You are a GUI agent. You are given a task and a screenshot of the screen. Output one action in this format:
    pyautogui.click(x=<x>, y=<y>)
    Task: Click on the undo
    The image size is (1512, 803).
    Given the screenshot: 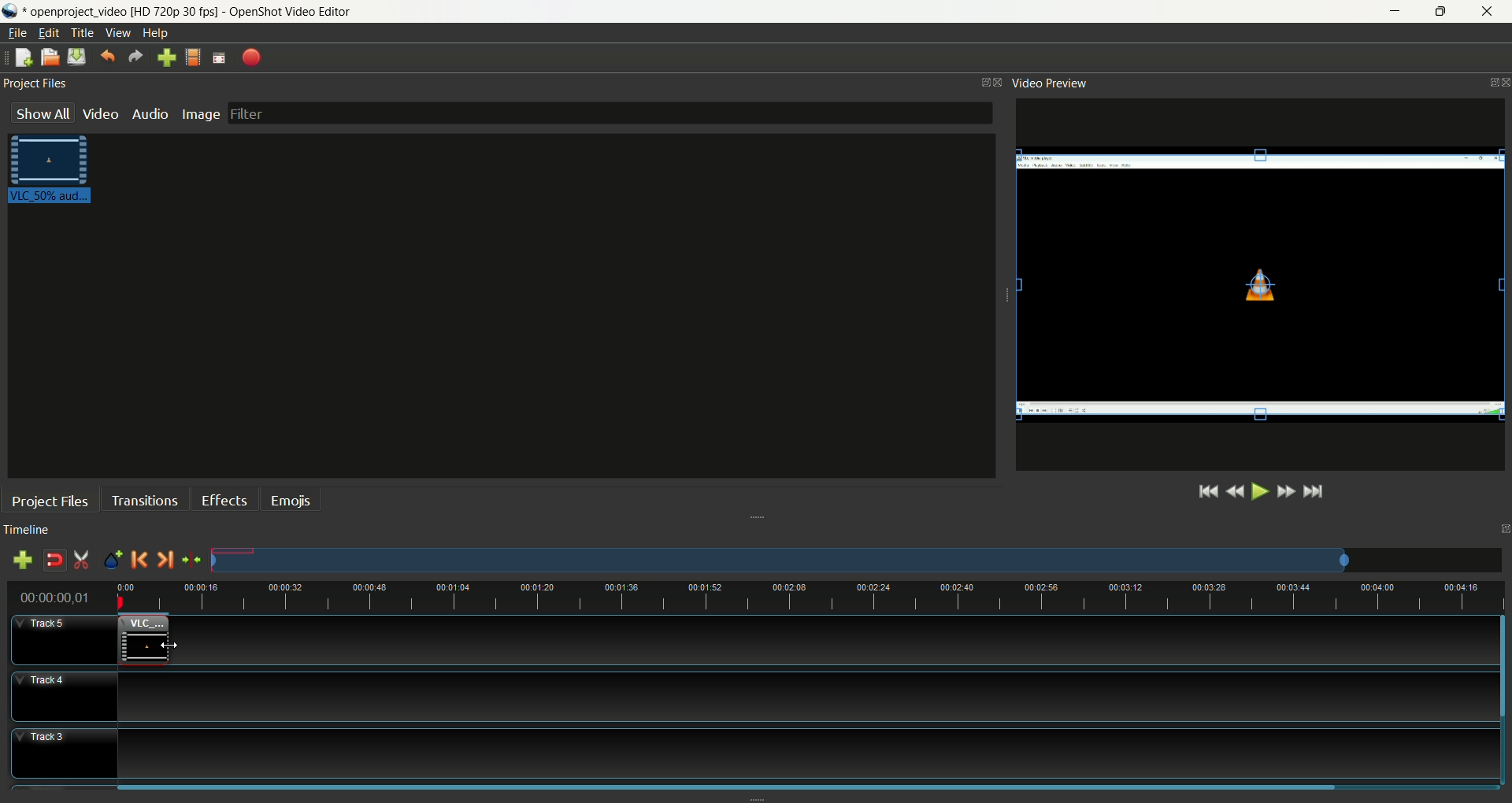 What is the action you would take?
    pyautogui.click(x=109, y=56)
    